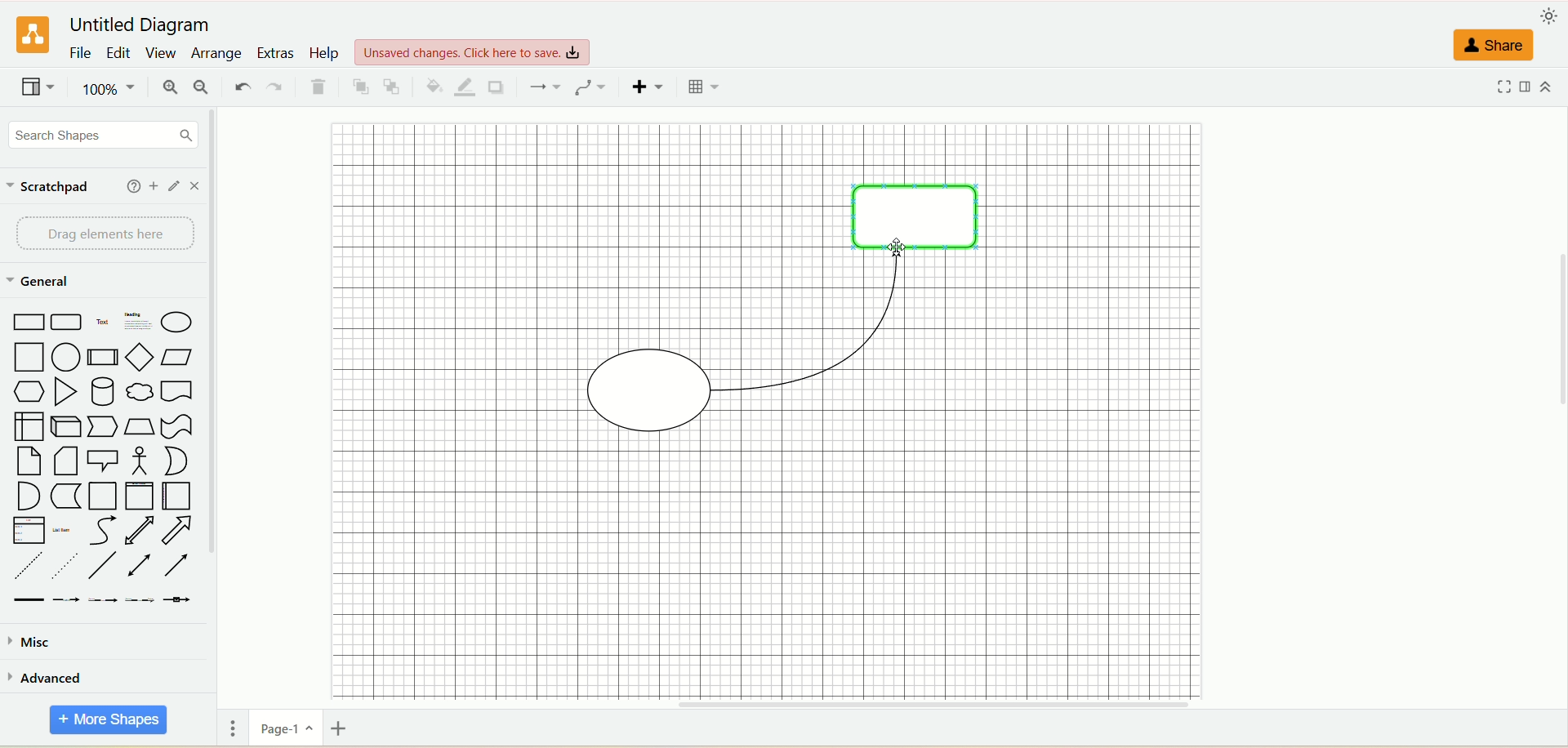 This screenshot has height=748, width=1568. I want to click on insert page, so click(345, 731).